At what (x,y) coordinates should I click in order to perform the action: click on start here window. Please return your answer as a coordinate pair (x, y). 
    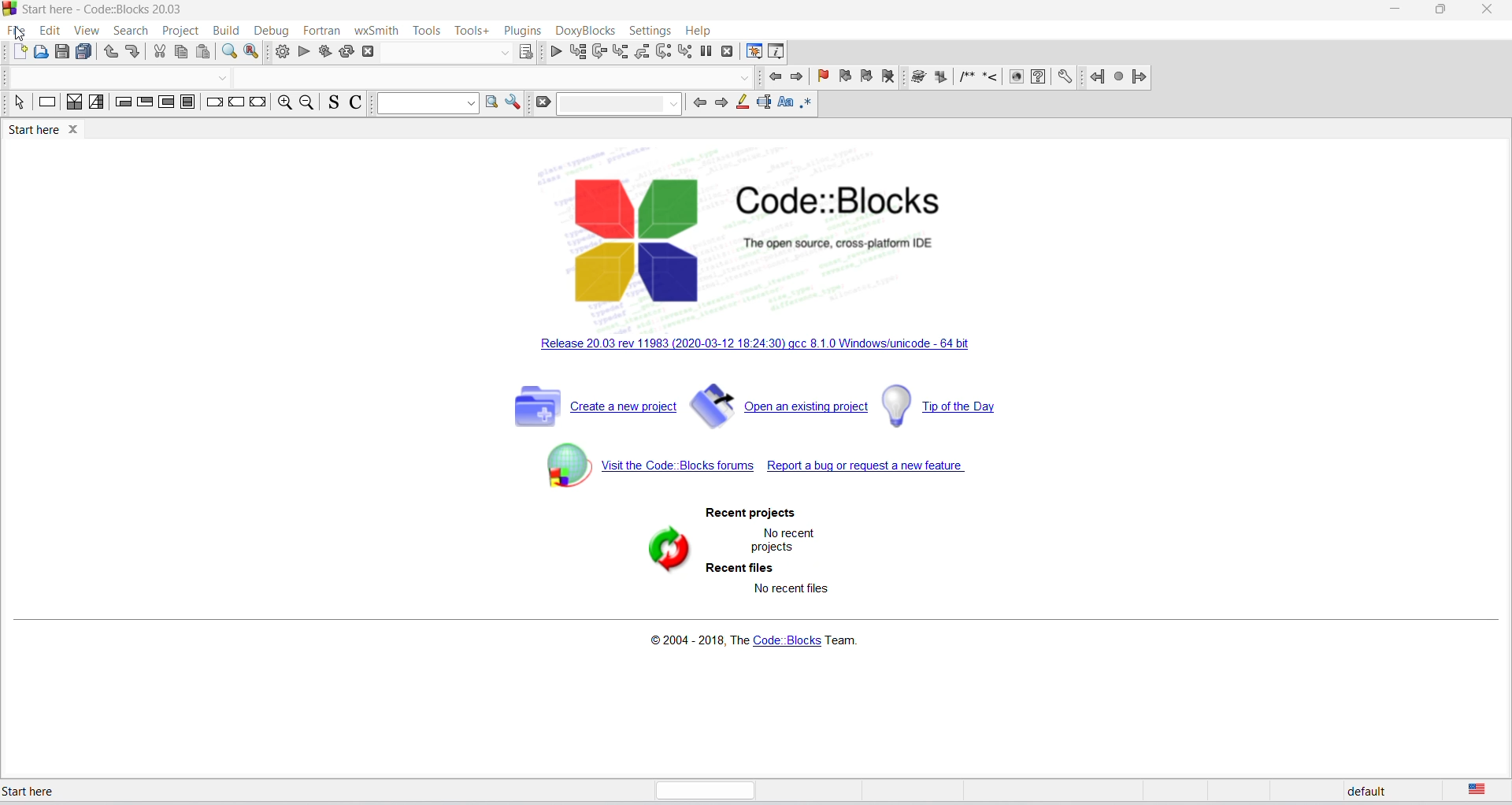
    Looking at the image, I should click on (98, 10).